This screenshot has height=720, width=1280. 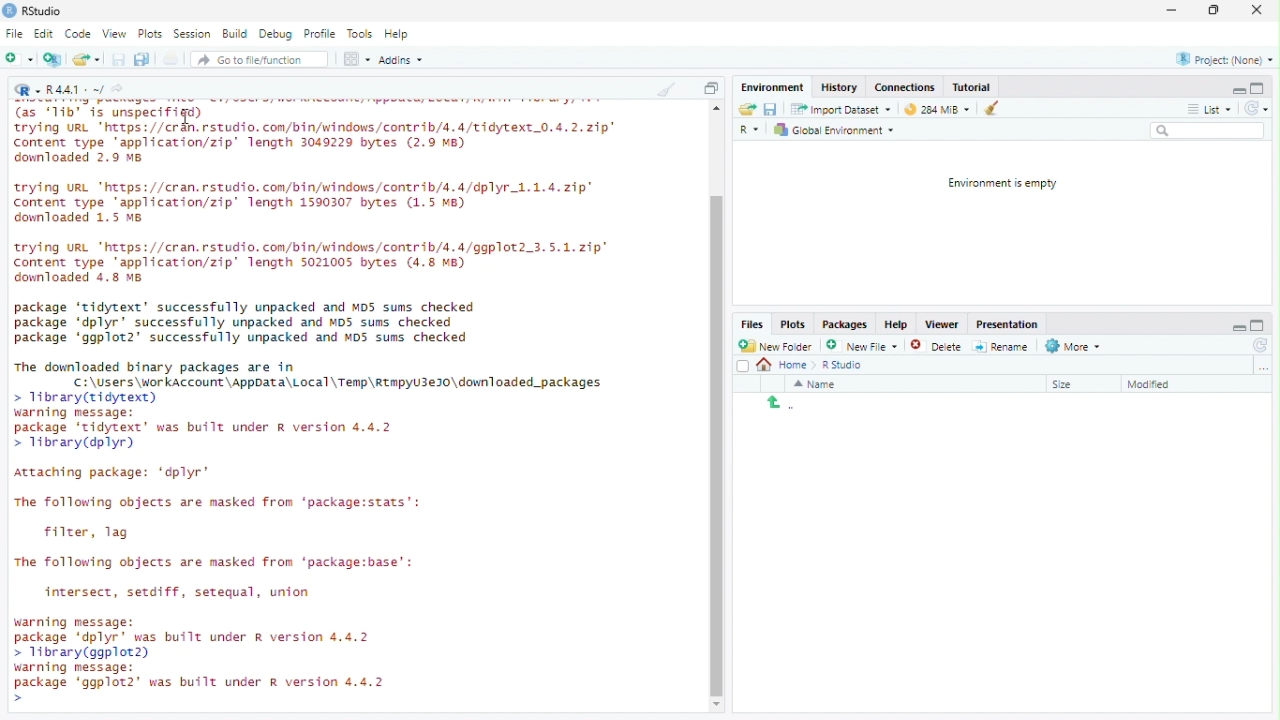 I want to click on Close, so click(x=1256, y=11).